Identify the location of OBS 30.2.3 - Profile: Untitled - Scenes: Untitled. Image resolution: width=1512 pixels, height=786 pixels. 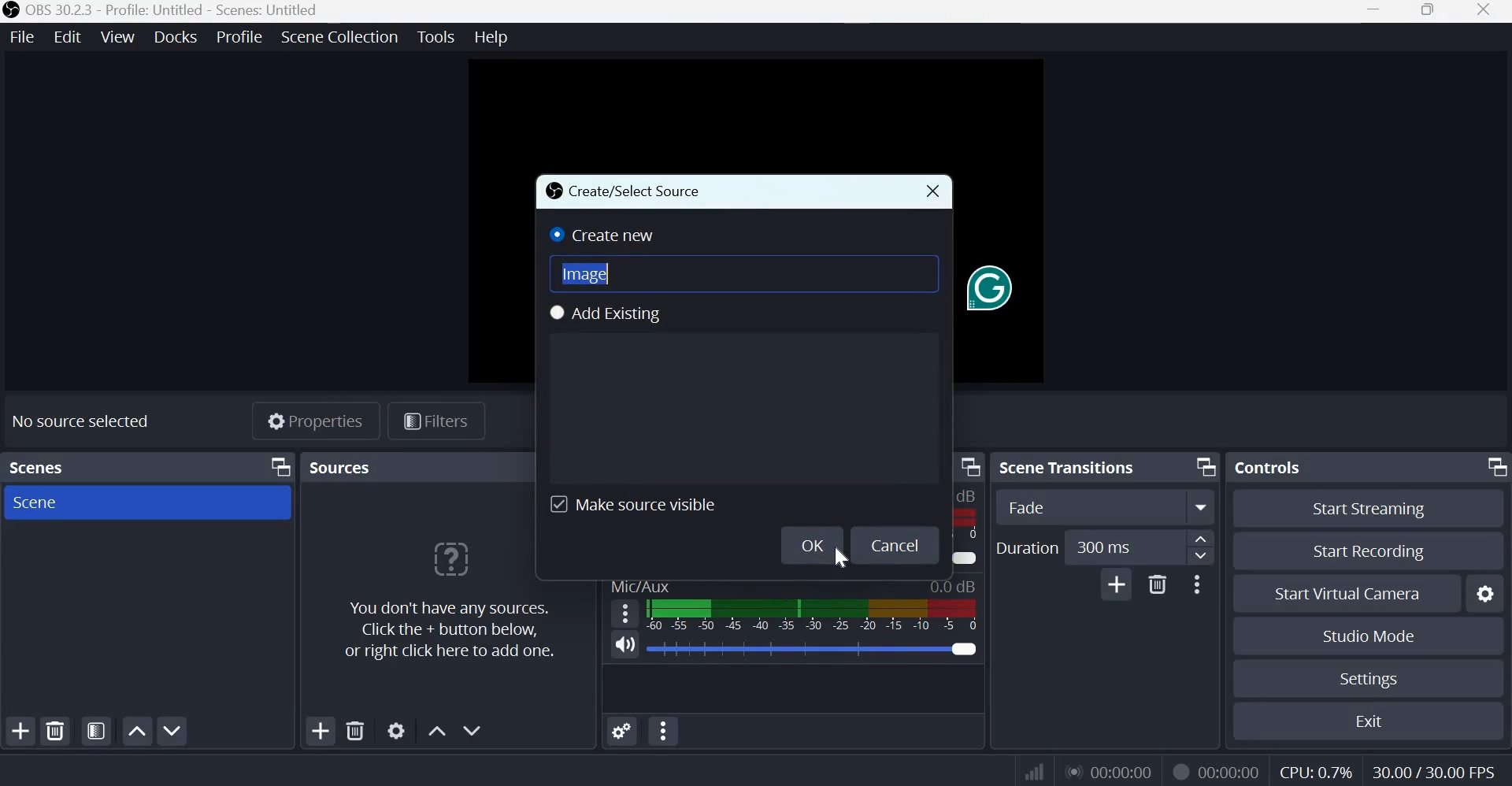
(160, 10).